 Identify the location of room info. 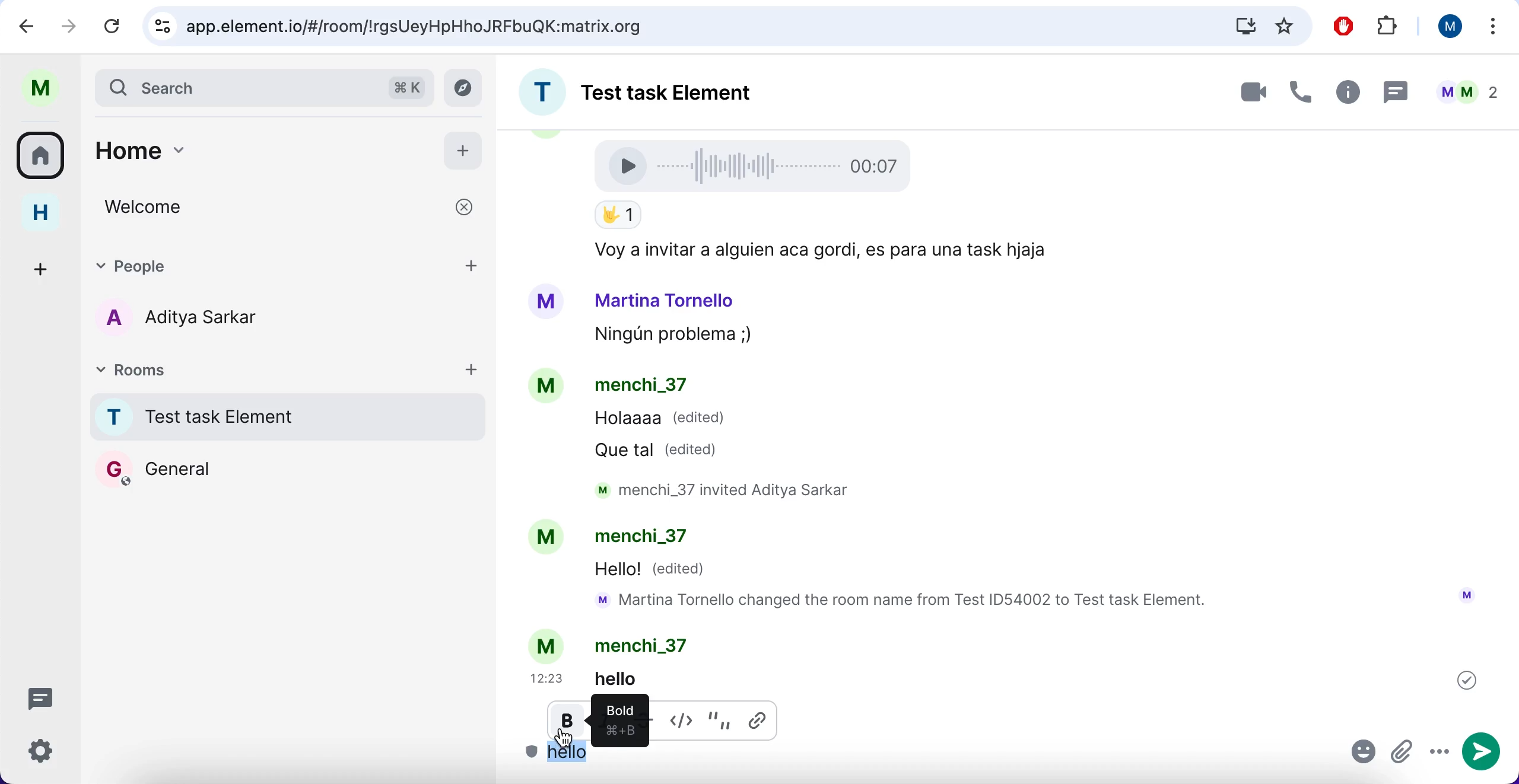
(1345, 94).